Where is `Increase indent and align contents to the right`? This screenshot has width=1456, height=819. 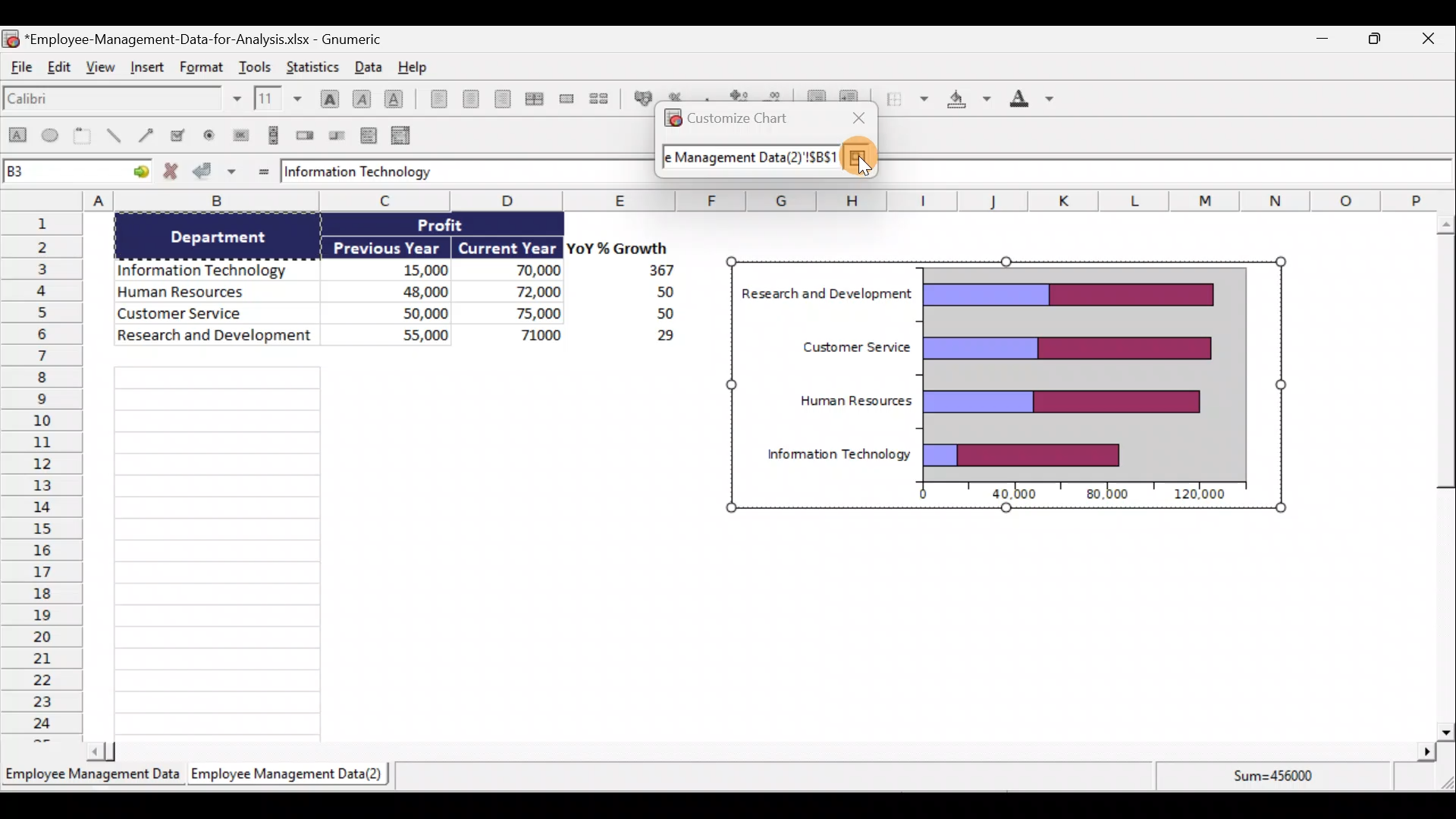
Increase indent and align contents to the right is located at coordinates (854, 96).